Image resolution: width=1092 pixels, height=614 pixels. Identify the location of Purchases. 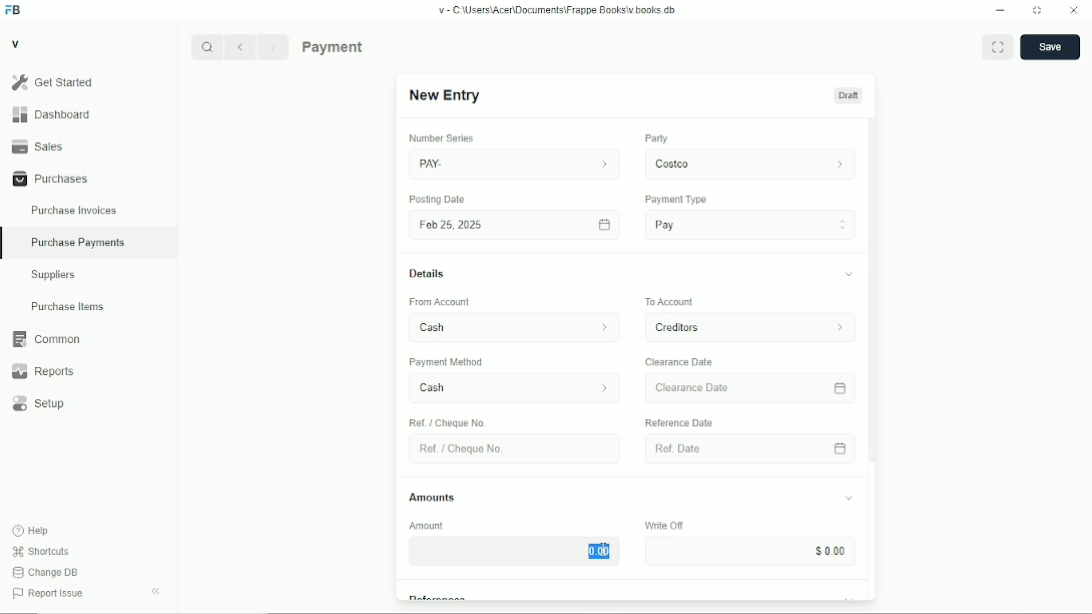
(88, 178).